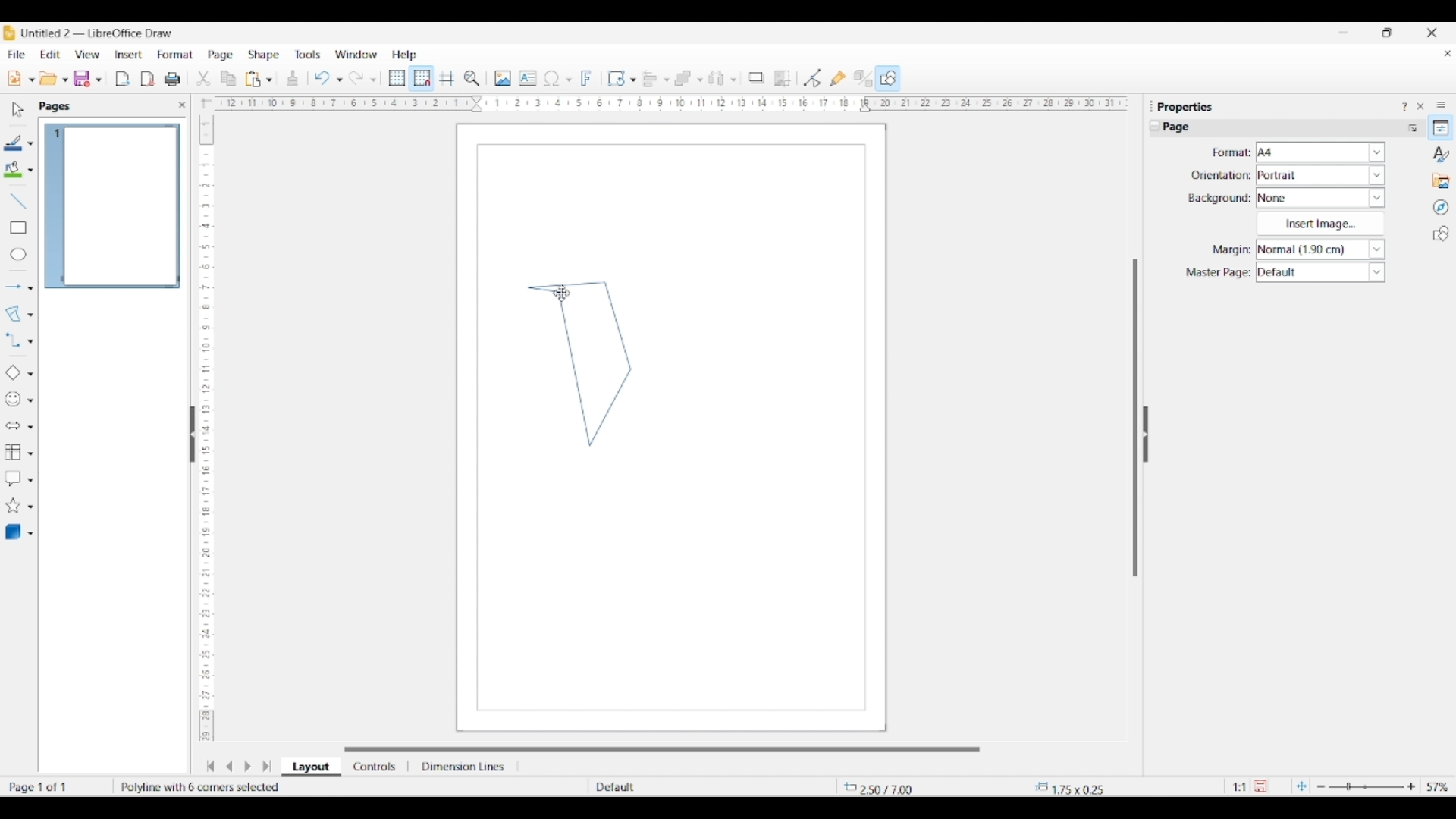 The height and width of the screenshot is (819, 1456). I want to click on Close current document , so click(1447, 54).